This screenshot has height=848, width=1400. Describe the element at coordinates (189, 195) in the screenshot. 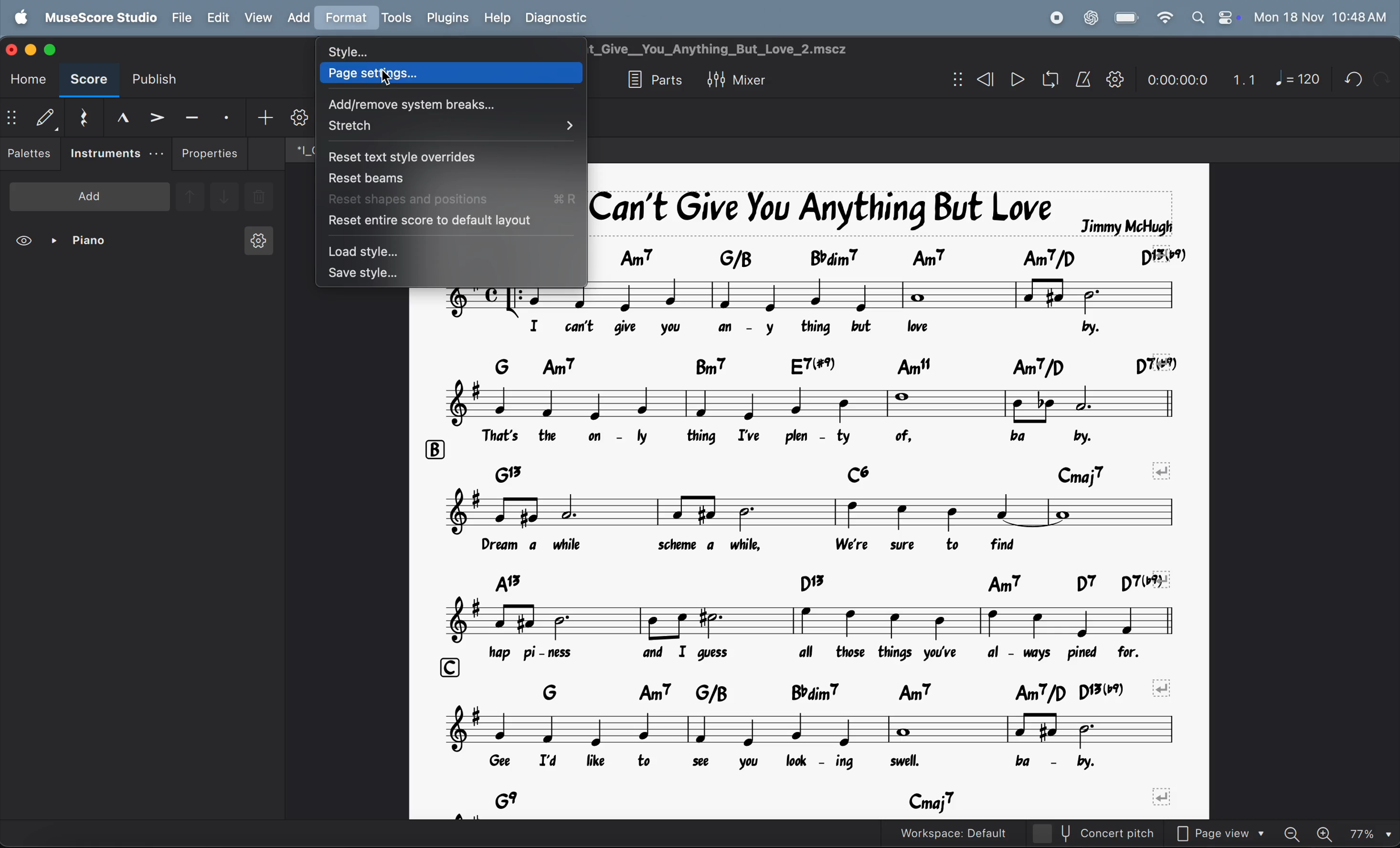

I see `uptone` at that location.